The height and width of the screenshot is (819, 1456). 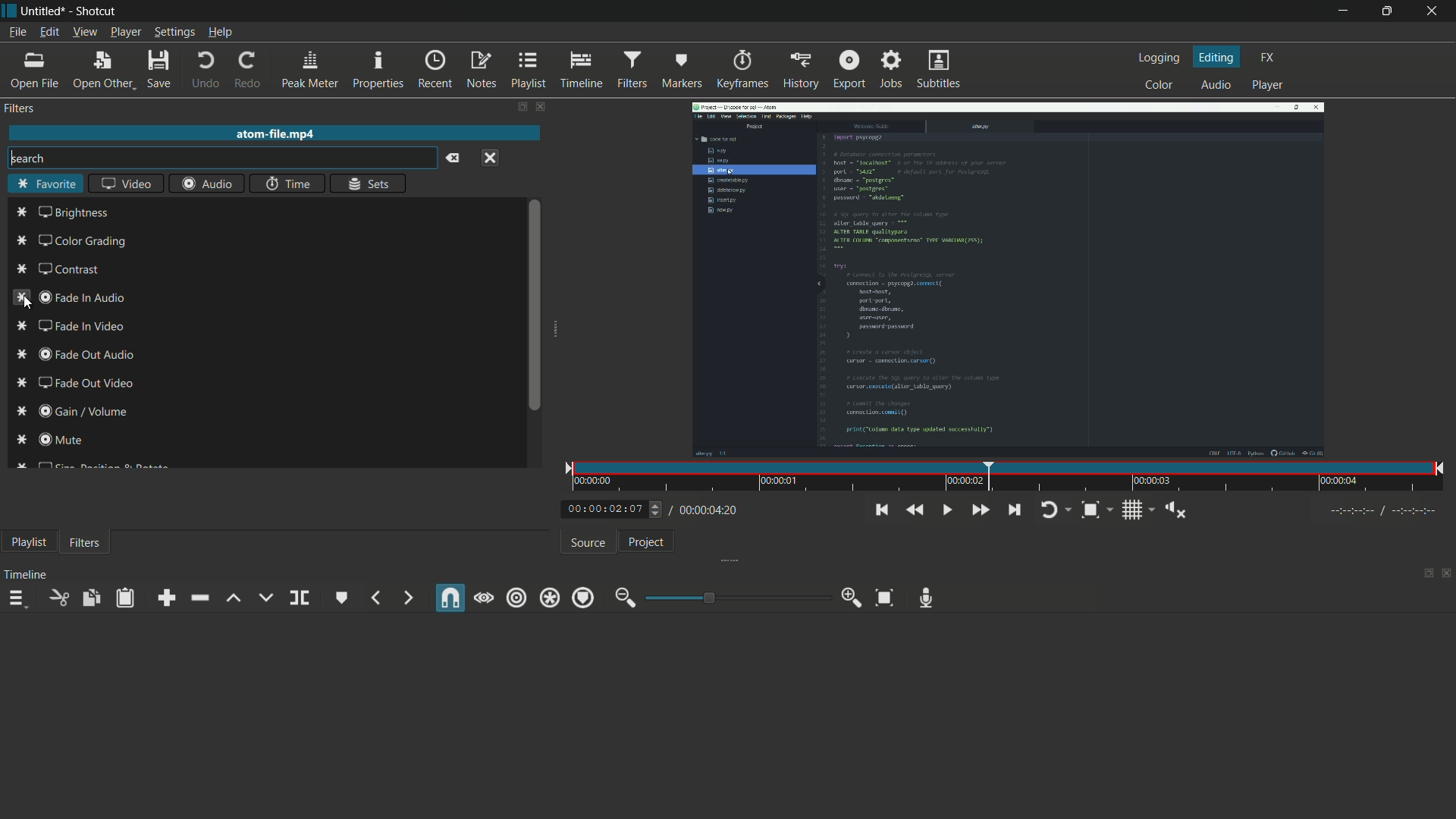 I want to click on brightness, so click(x=75, y=212).